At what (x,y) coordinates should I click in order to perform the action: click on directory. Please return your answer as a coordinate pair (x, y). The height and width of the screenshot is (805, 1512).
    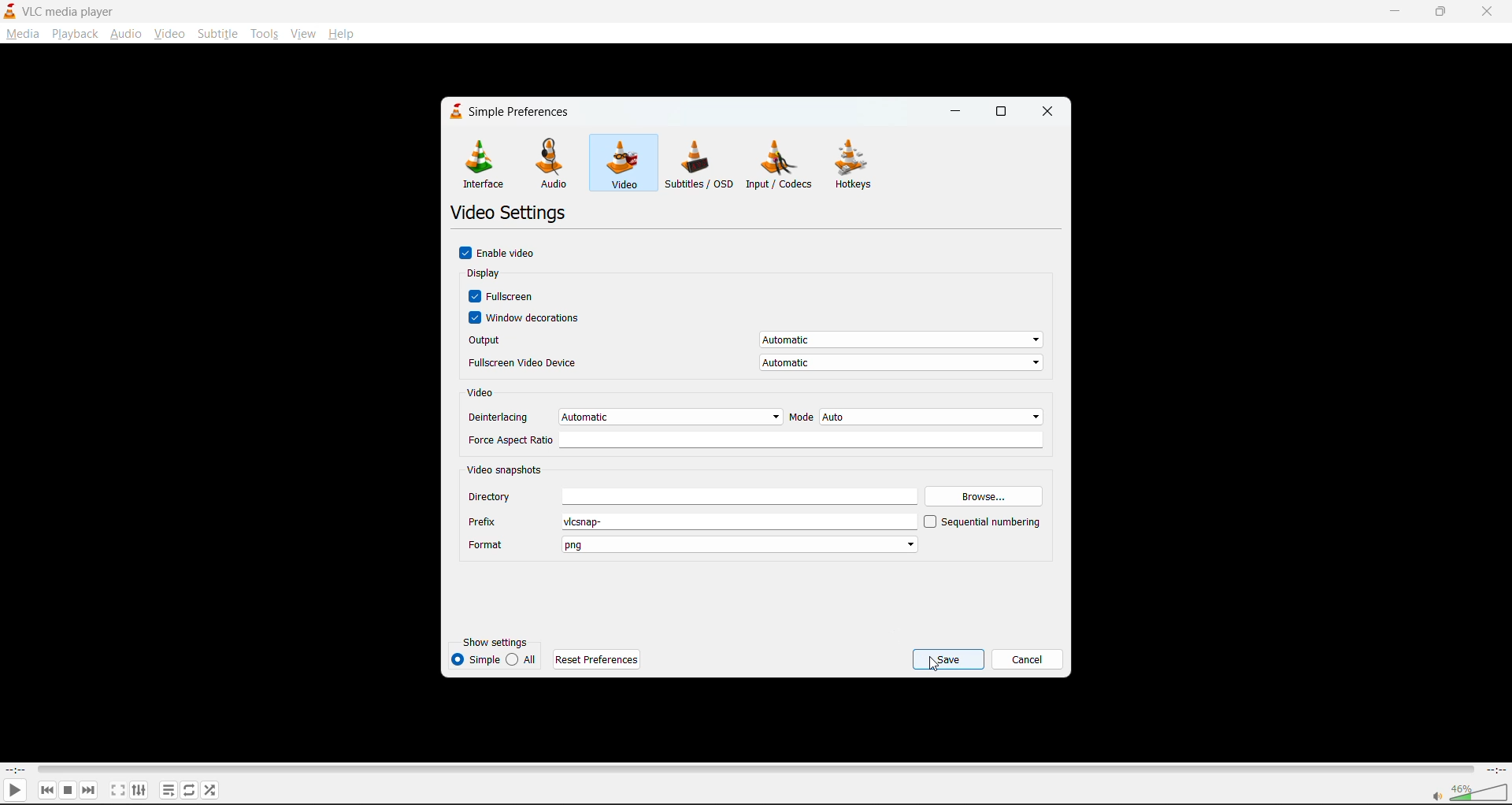
    Looking at the image, I should click on (695, 496).